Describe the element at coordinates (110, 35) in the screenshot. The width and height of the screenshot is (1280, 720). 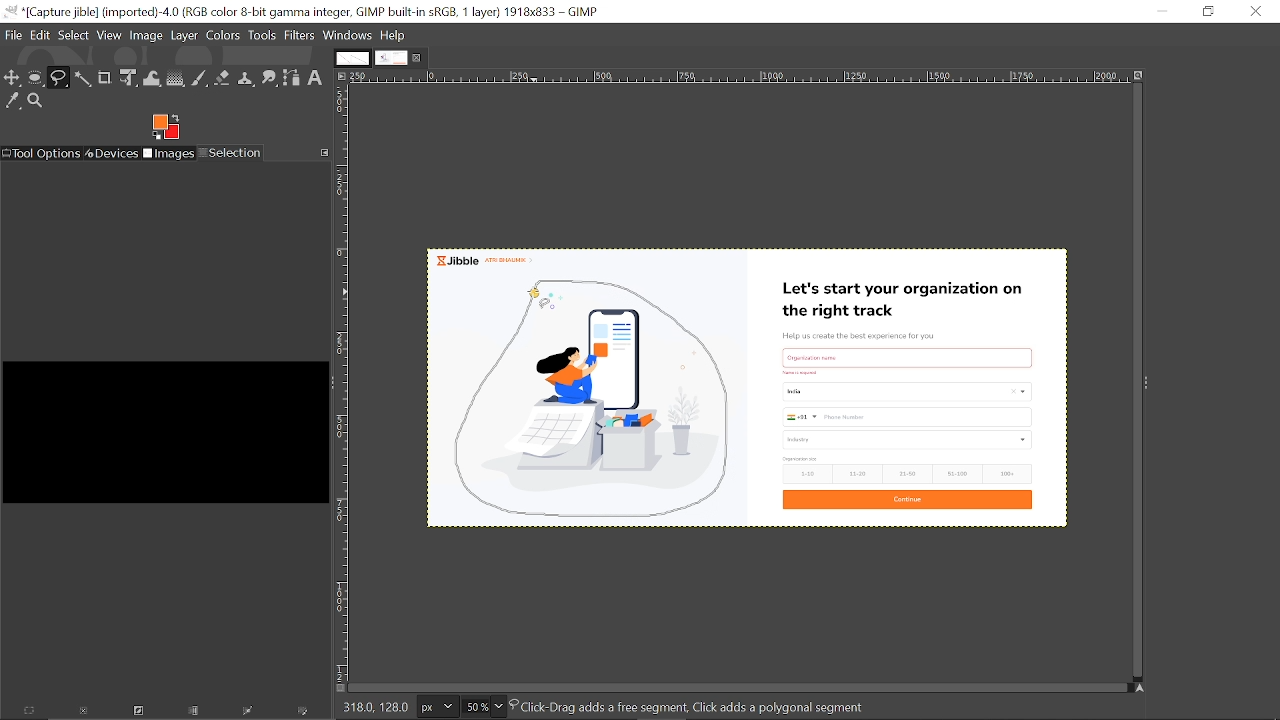
I see `View` at that location.